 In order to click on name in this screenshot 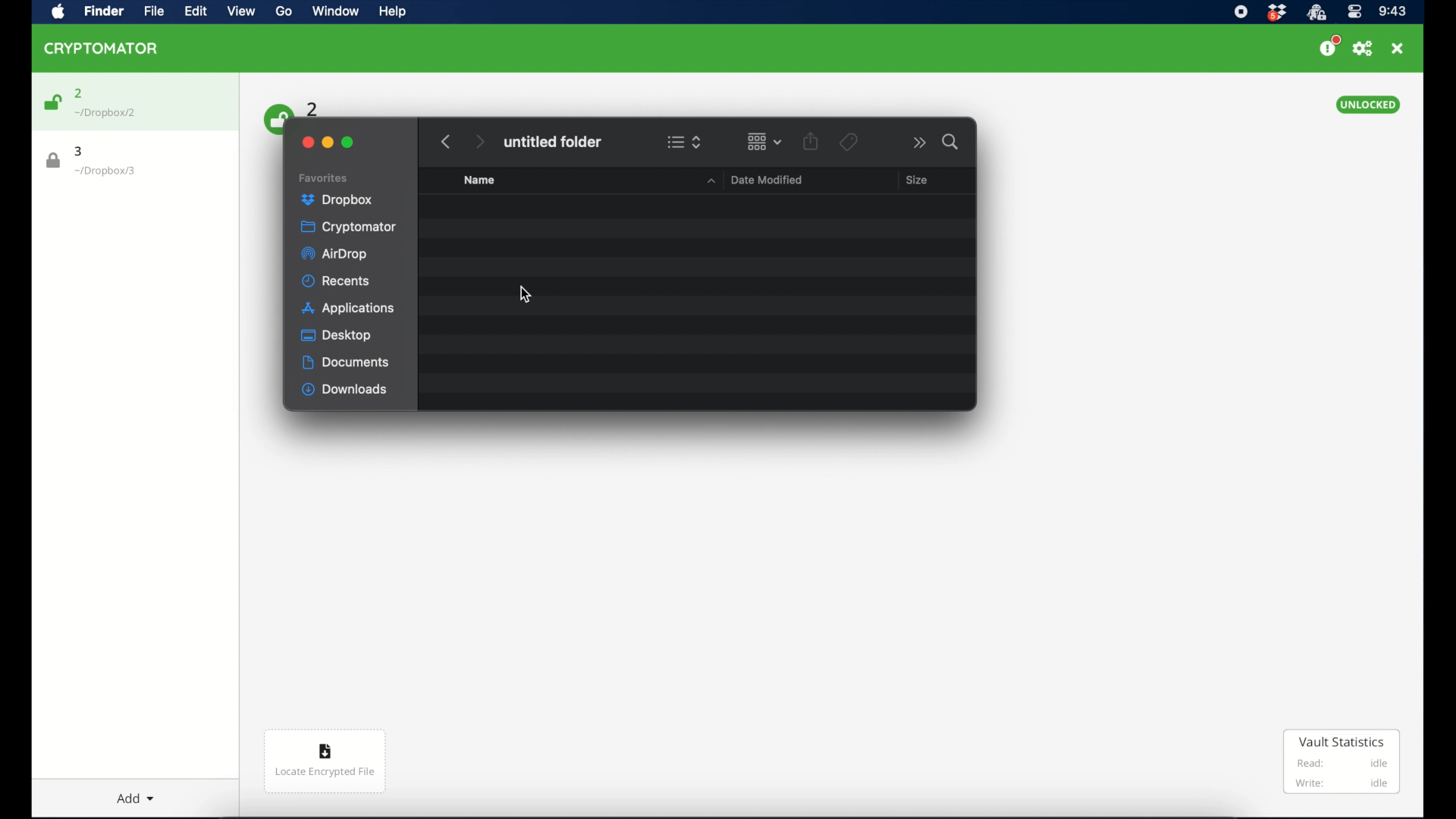, I will do `click(479, 180)`.